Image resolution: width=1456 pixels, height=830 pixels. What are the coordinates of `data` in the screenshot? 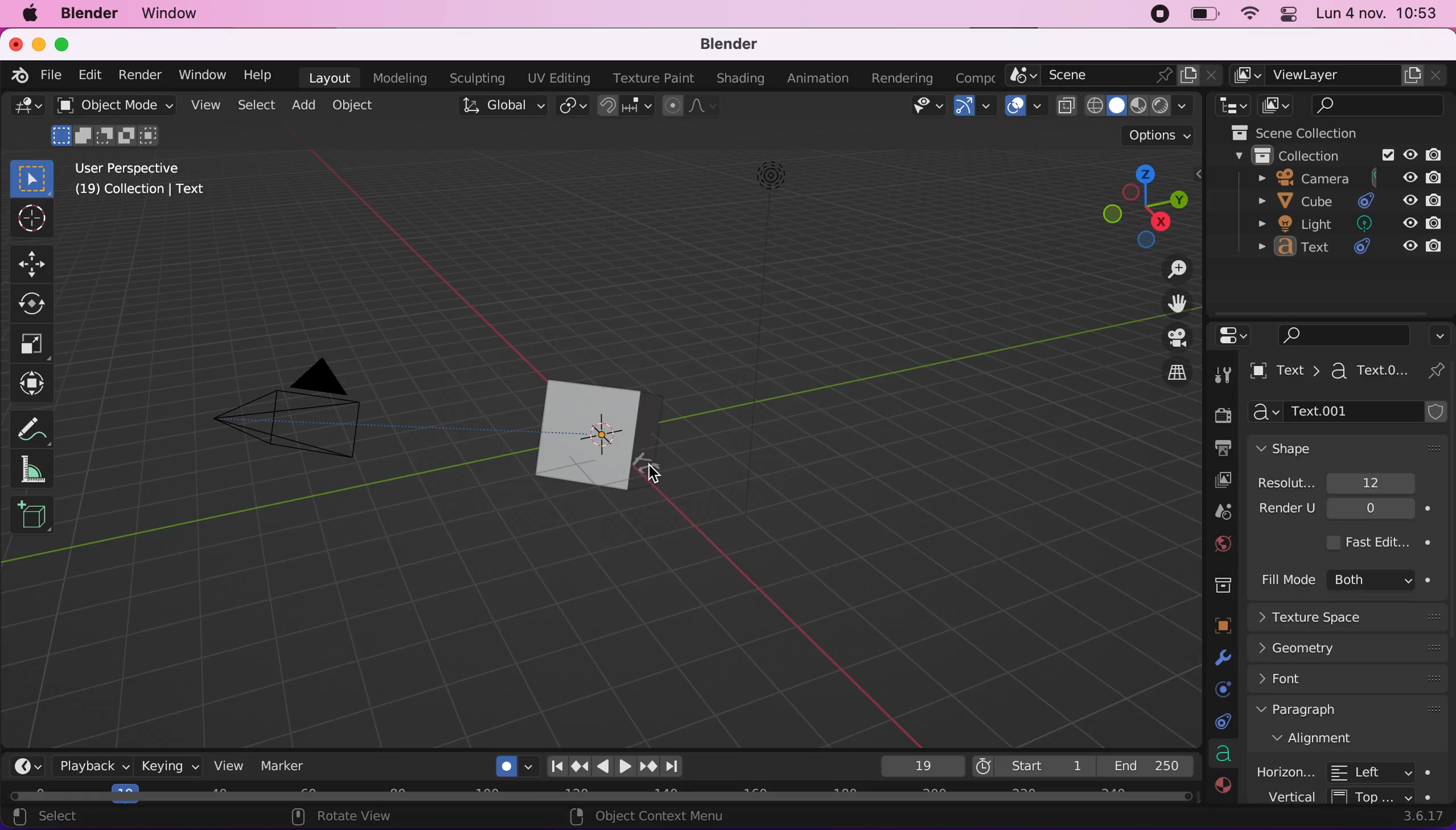 It's located at (1222, 755).